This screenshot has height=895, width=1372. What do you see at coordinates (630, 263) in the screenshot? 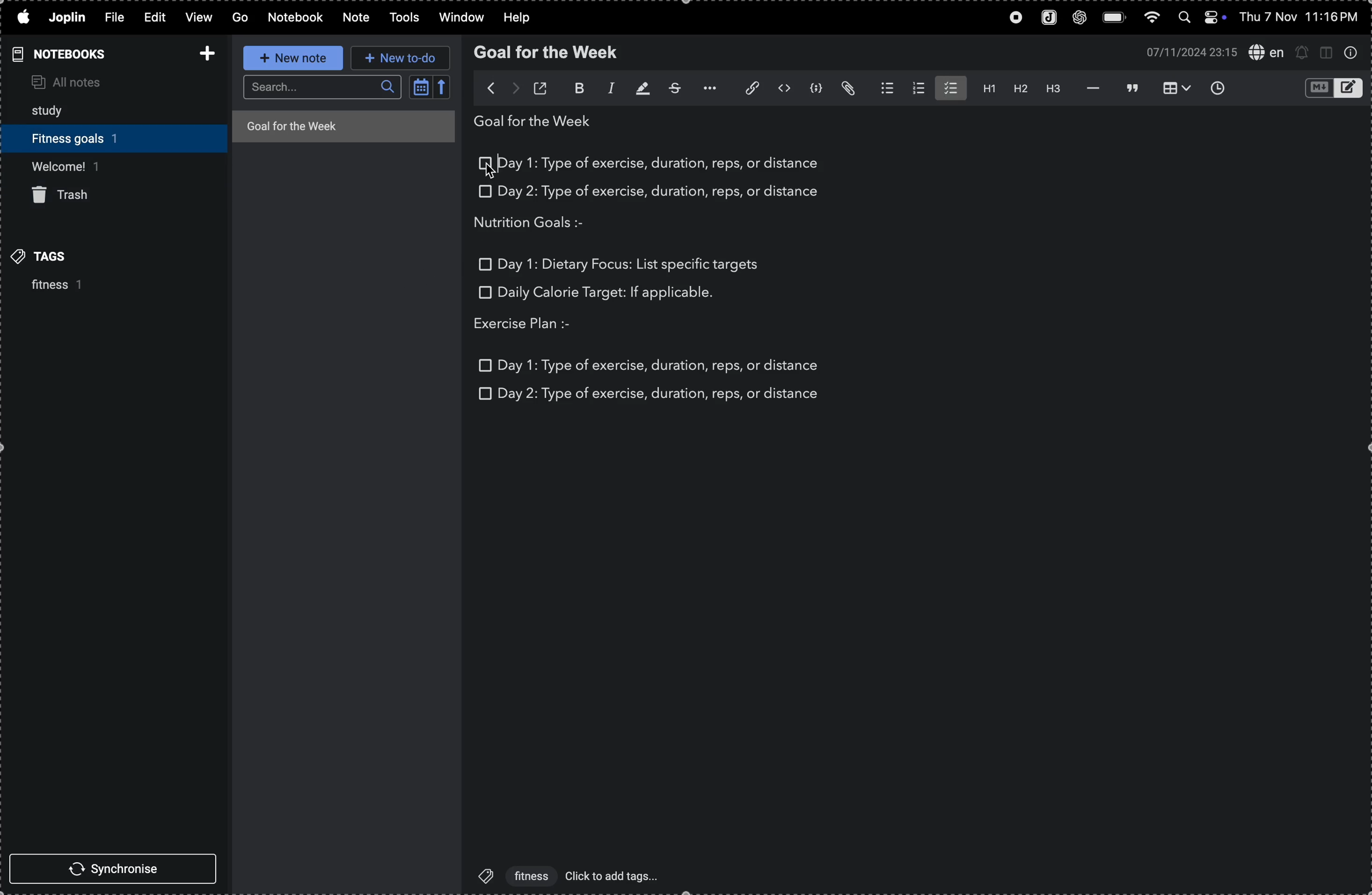
I see `Day 1: dietary focus: list specific targets ` at bounding box center [630, 263].